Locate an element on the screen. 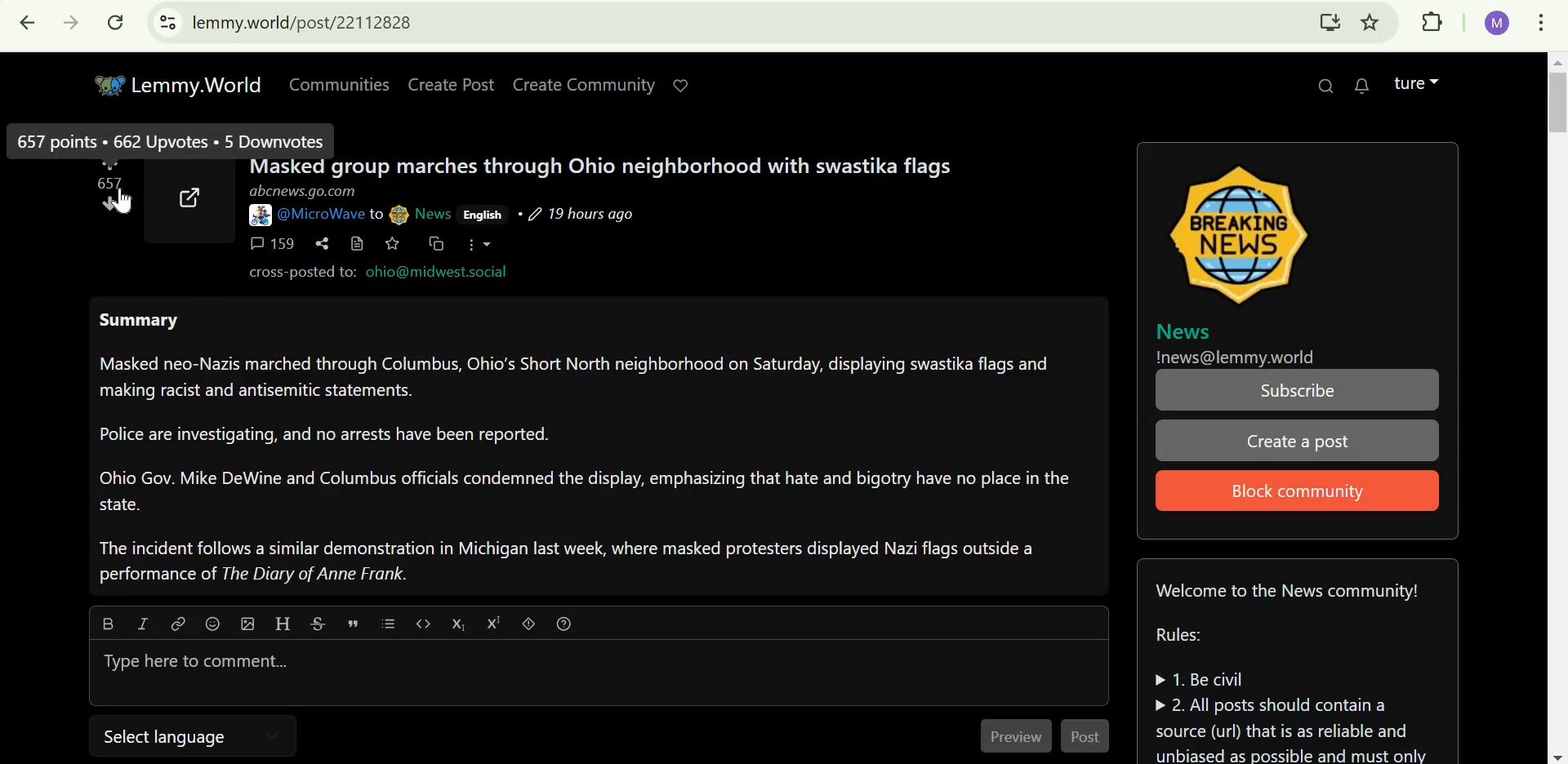 This screenshot has height=764, width=1568. customize and control google chrome is located at coordinates (1548, 23).